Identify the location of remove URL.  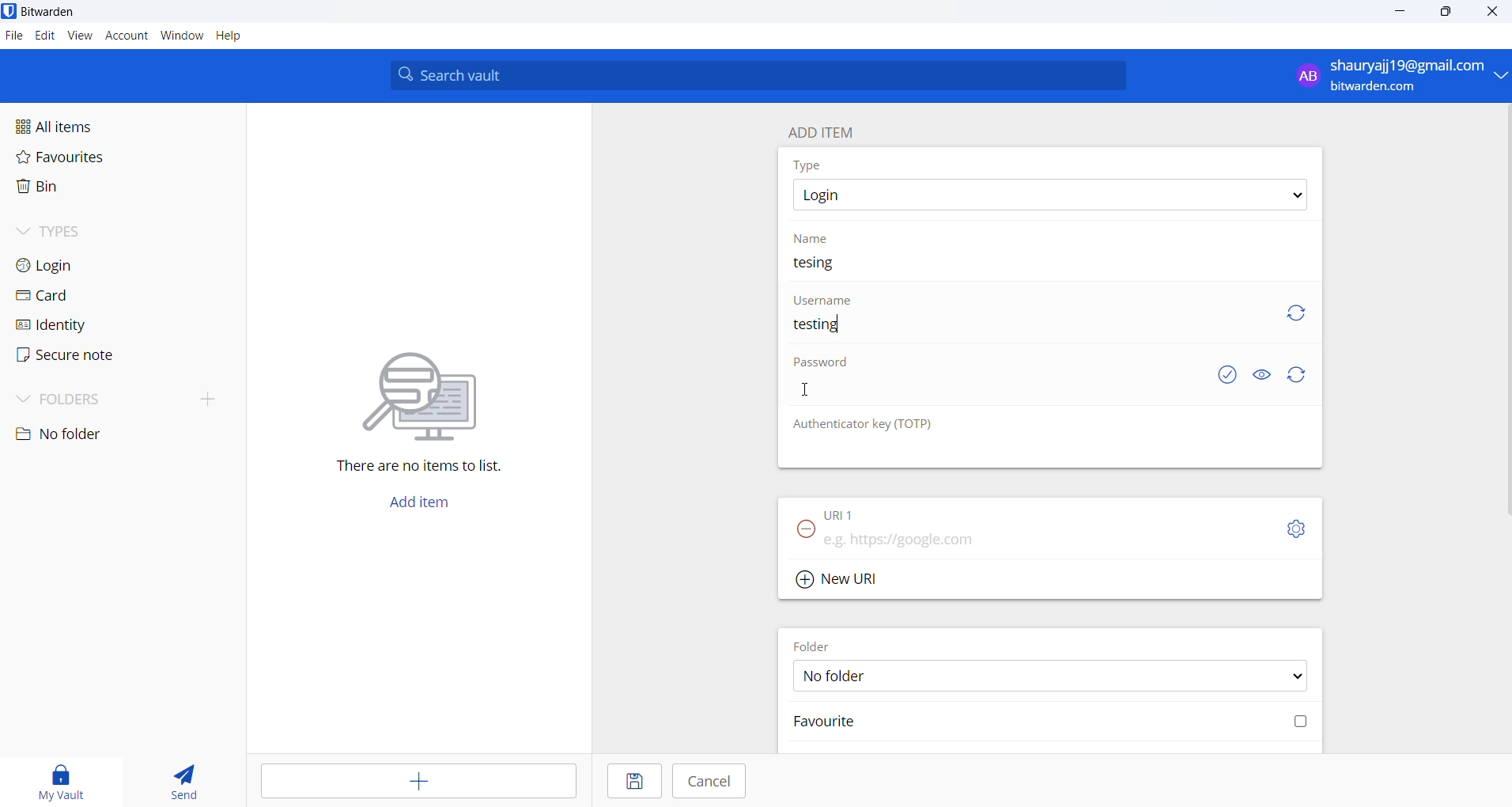
(807, 534).